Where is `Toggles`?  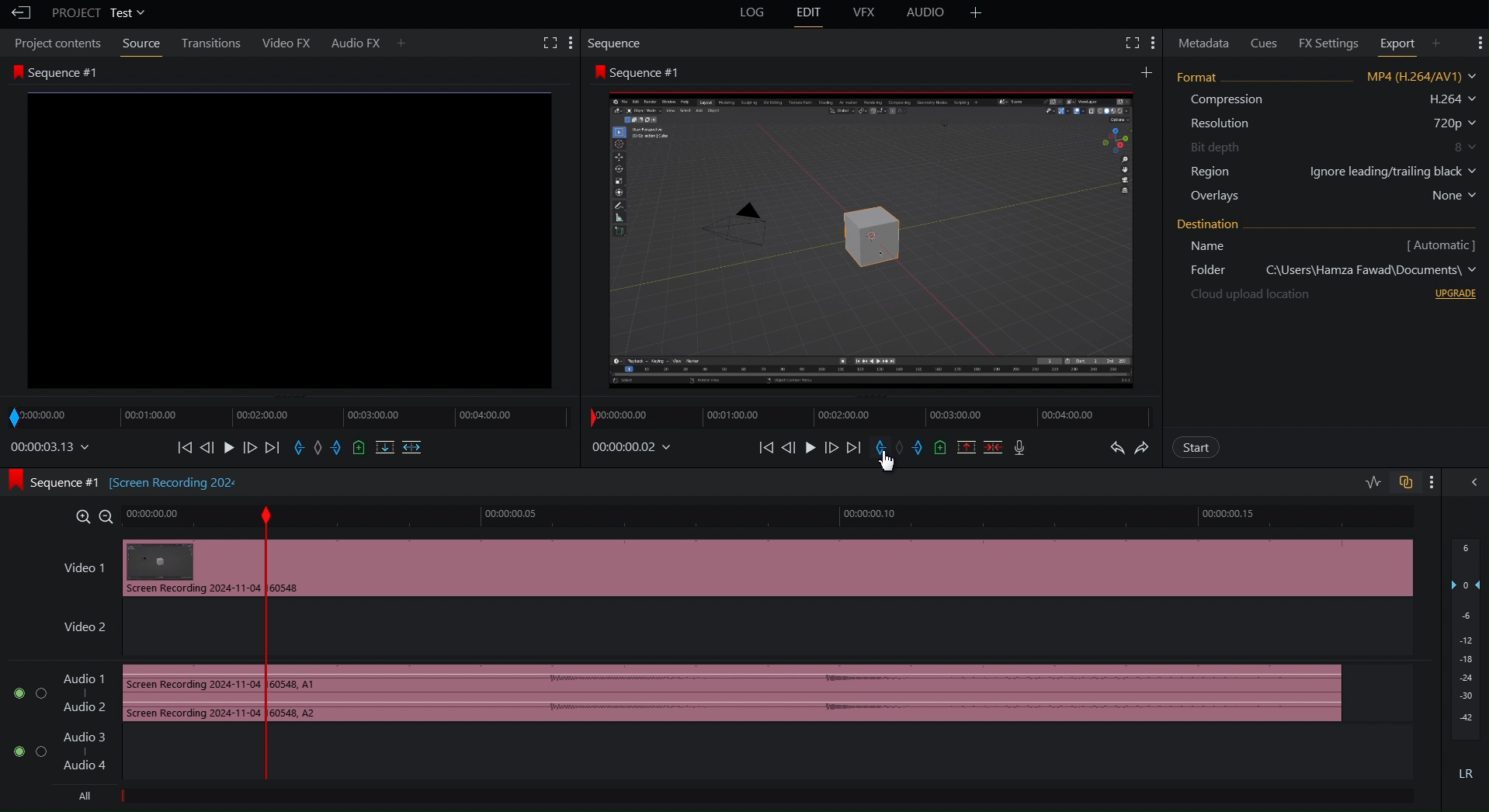
Toggles is located at coordinates (1385, 481).